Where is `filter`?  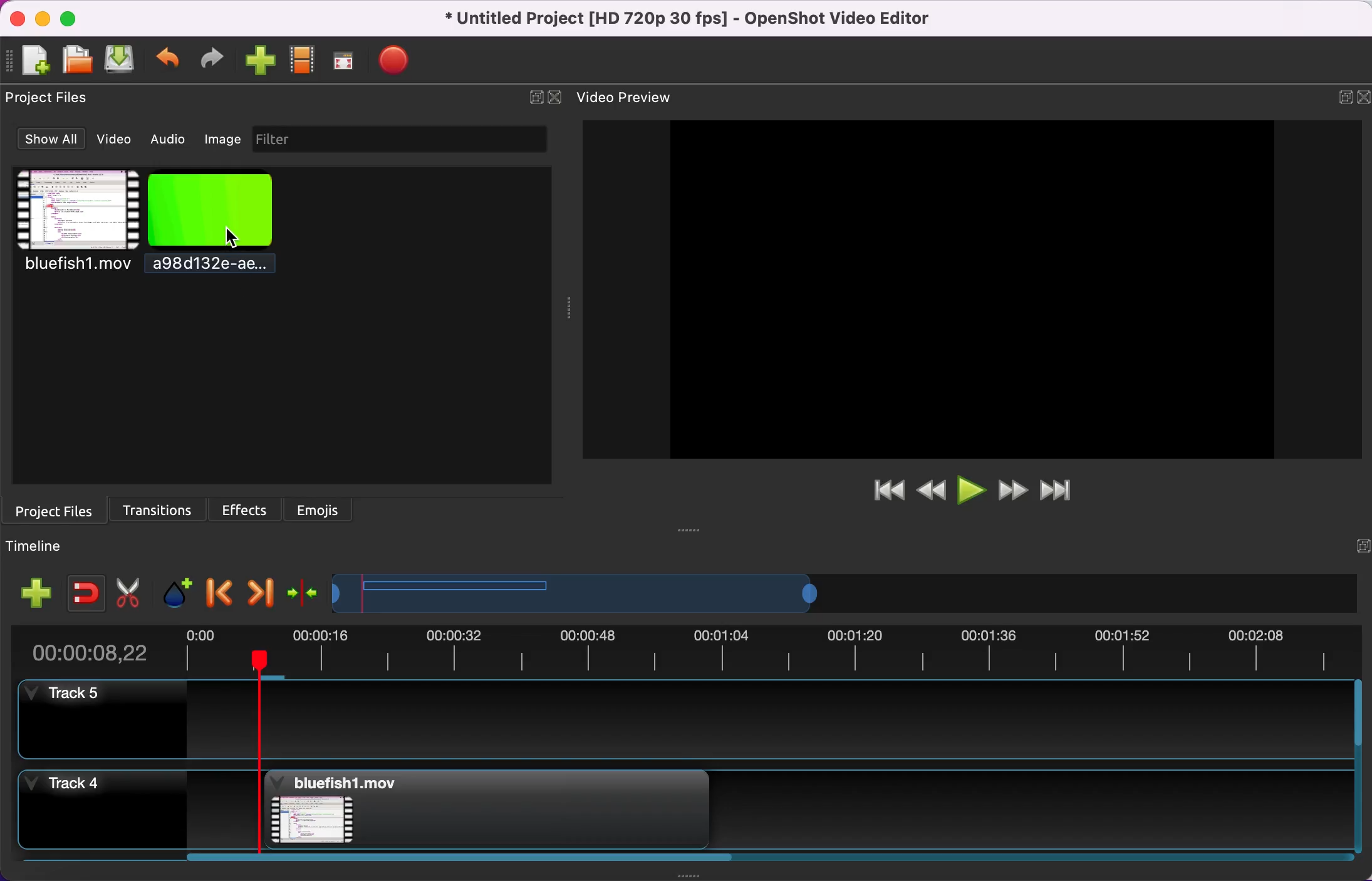 filter is located at coordinates (398, 140).